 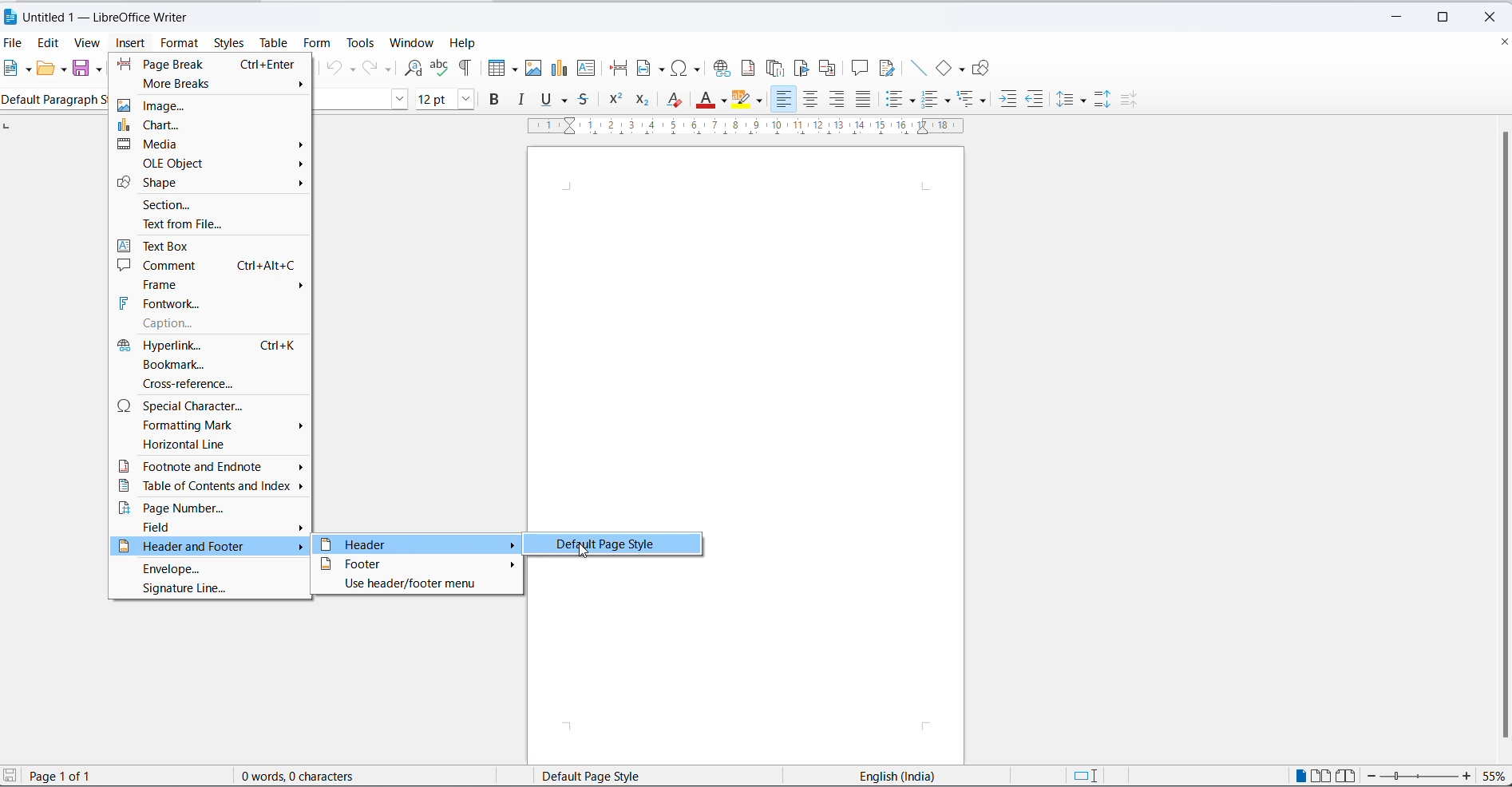 What do you see at coordinates (888, 69) in the screenshot?
I see `show track changes functions` at bounding box center [888, 69].